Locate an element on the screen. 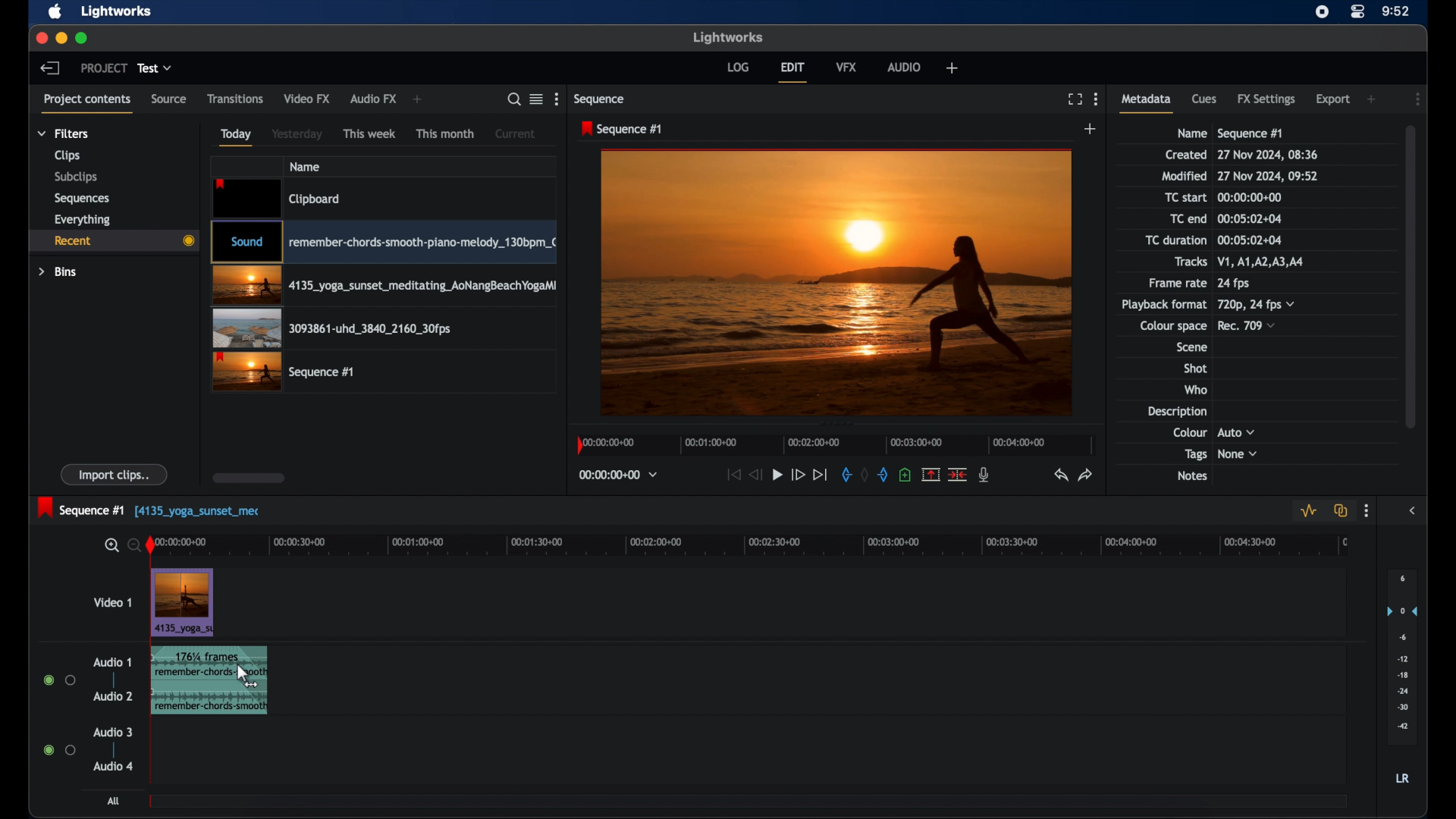 The image size is (1456, 819). tracks is located at coordinates (1266, 262).